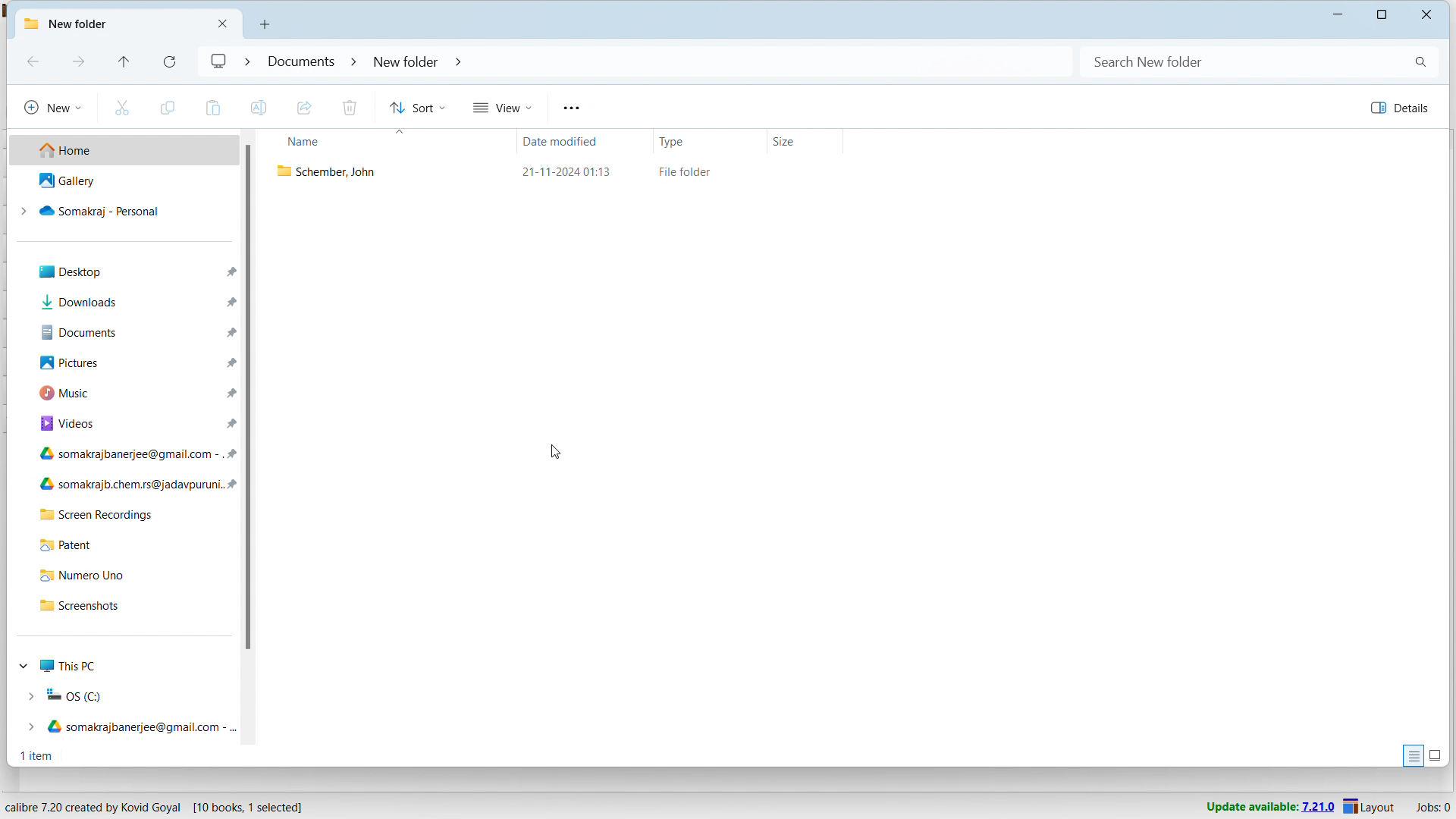 This screenshot has width=1456, height=819. What do you see at coordinates (136, 451) in the screenshot?
I see `Google drive 1` at bounding box center [136, 451].